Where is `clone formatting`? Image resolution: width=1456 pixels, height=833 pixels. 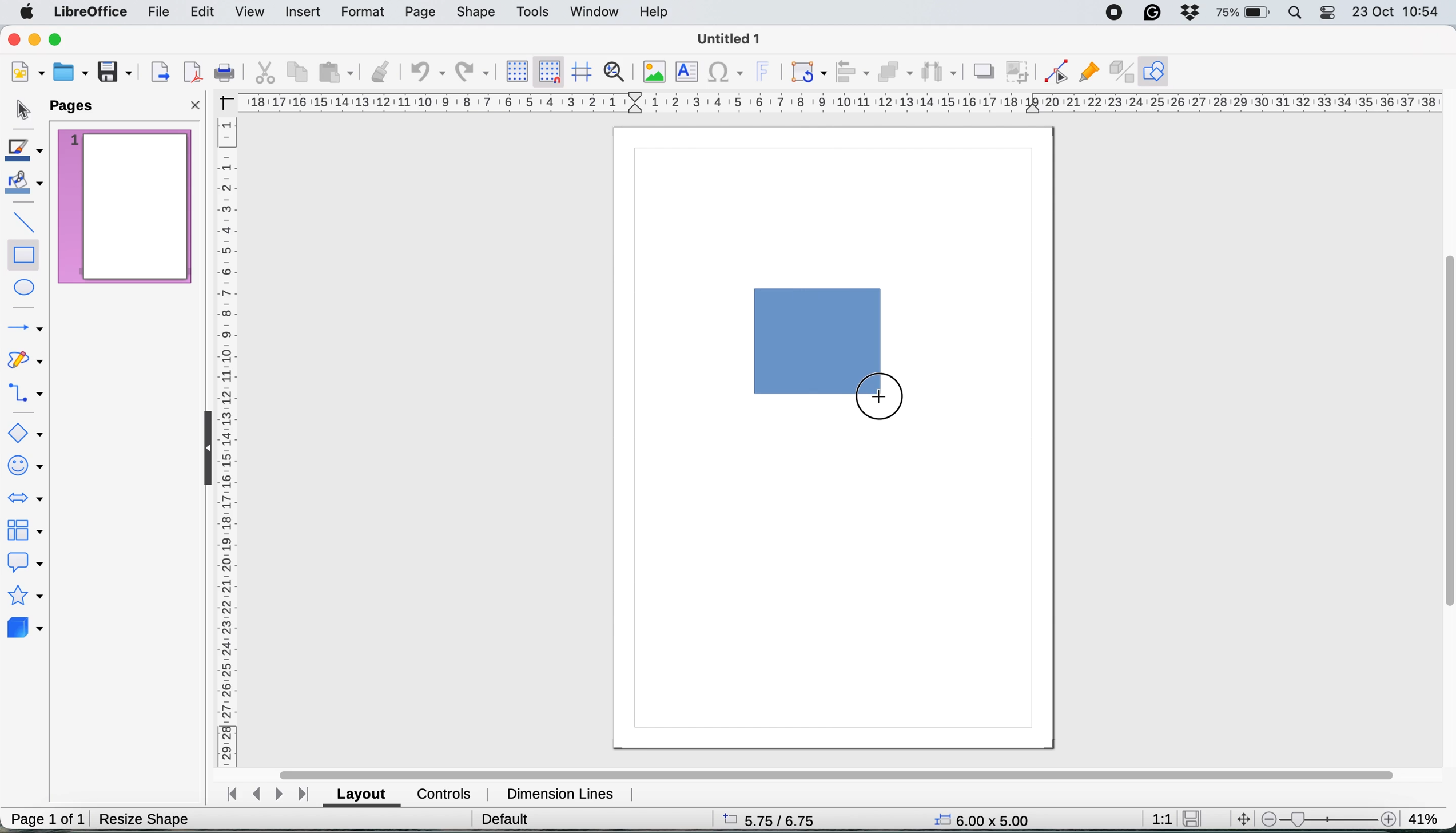 clone formatting is located at coordinates (381, 72).